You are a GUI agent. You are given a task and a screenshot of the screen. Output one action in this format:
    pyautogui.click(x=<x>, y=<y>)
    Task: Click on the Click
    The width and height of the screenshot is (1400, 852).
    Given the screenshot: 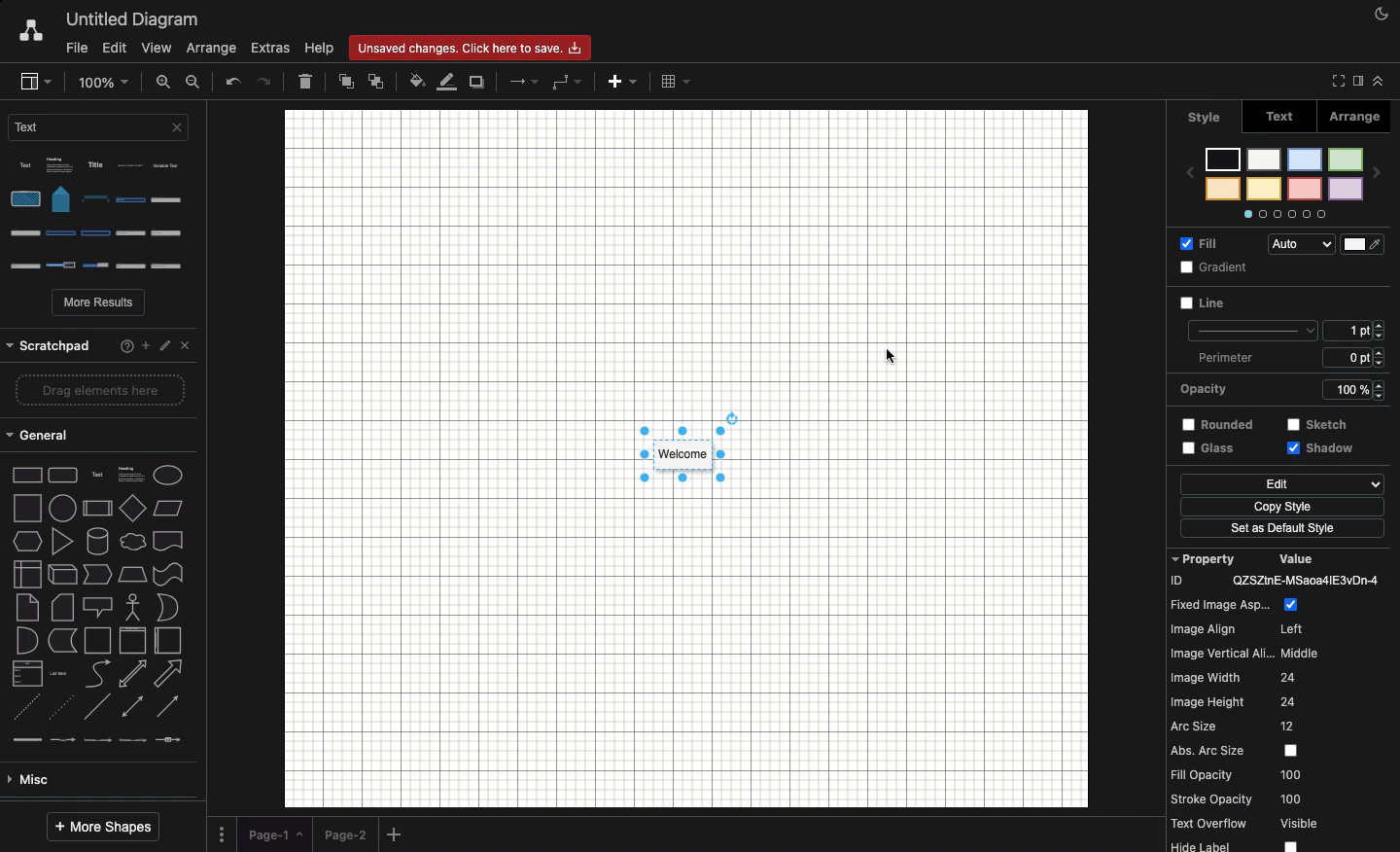 What is the action you would take?
    pyautogui.click(x=890, y=356)
    